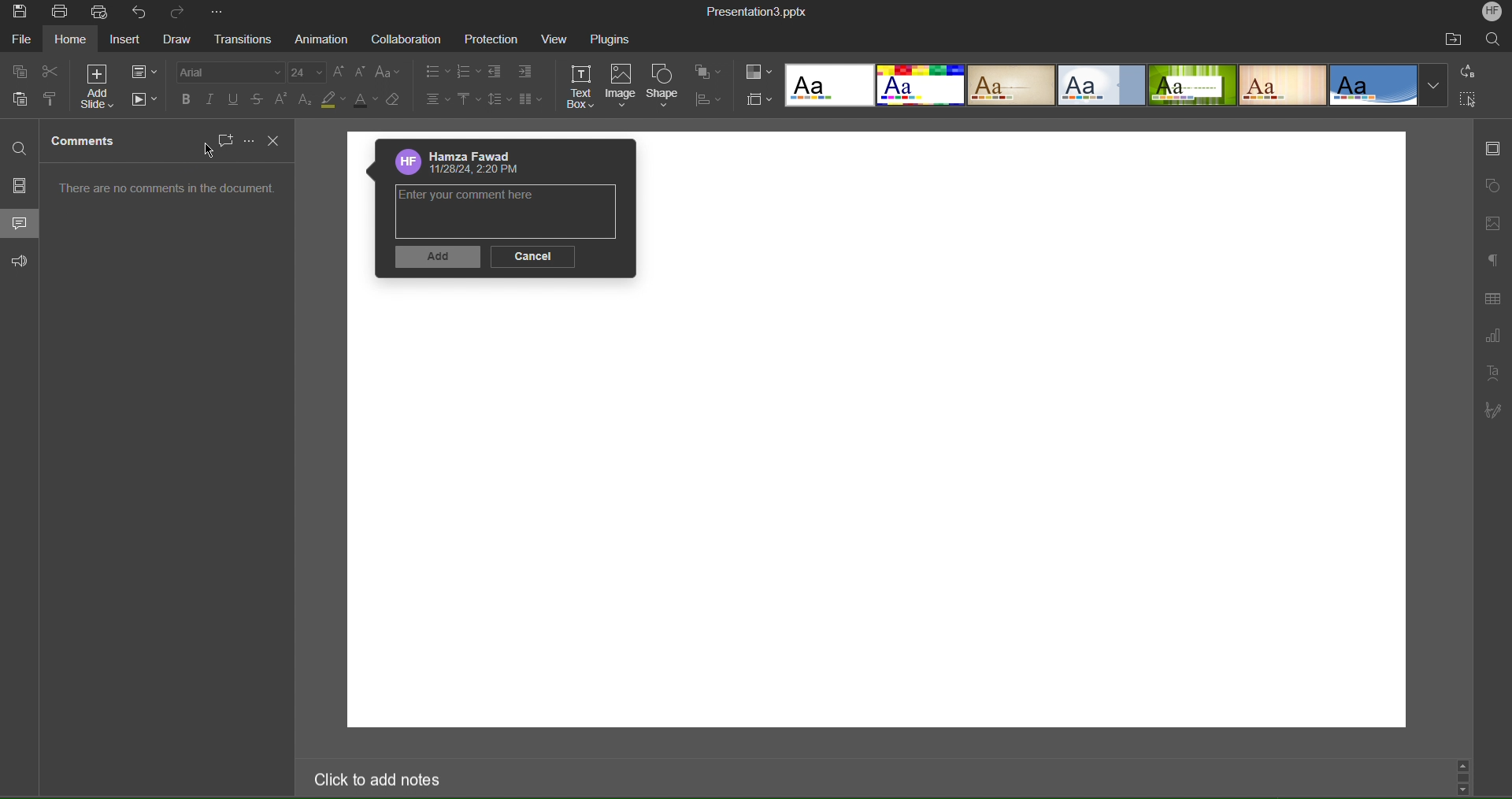 The width and height of the screenshot is (1512, 799). I want to click on Text Case Settings, so click(387, 75).